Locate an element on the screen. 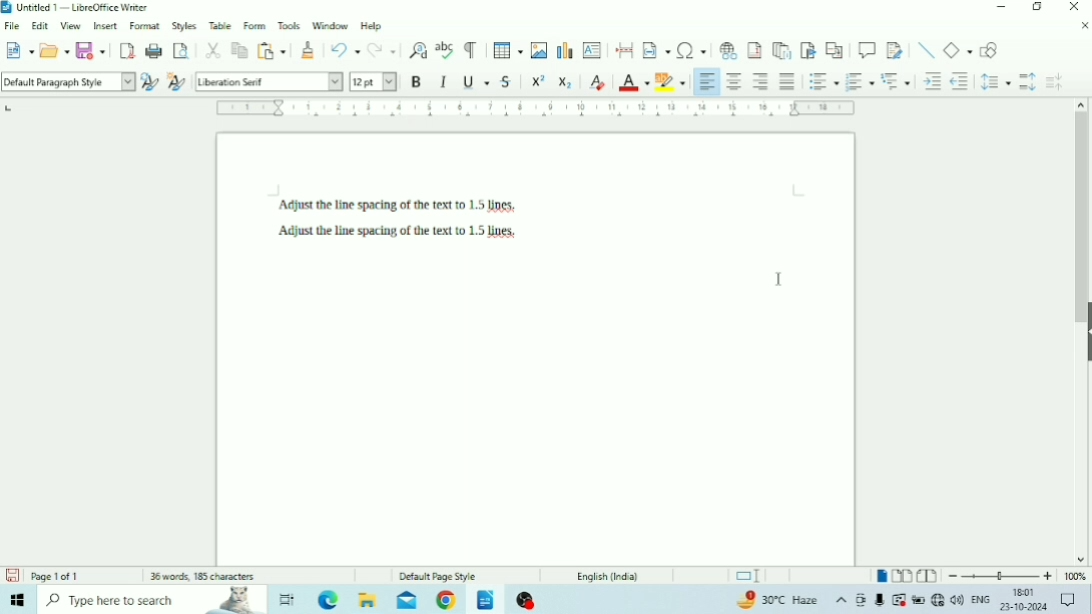 The image size is (1092, 614). Check Spelling is located at coordinates (445, 50).